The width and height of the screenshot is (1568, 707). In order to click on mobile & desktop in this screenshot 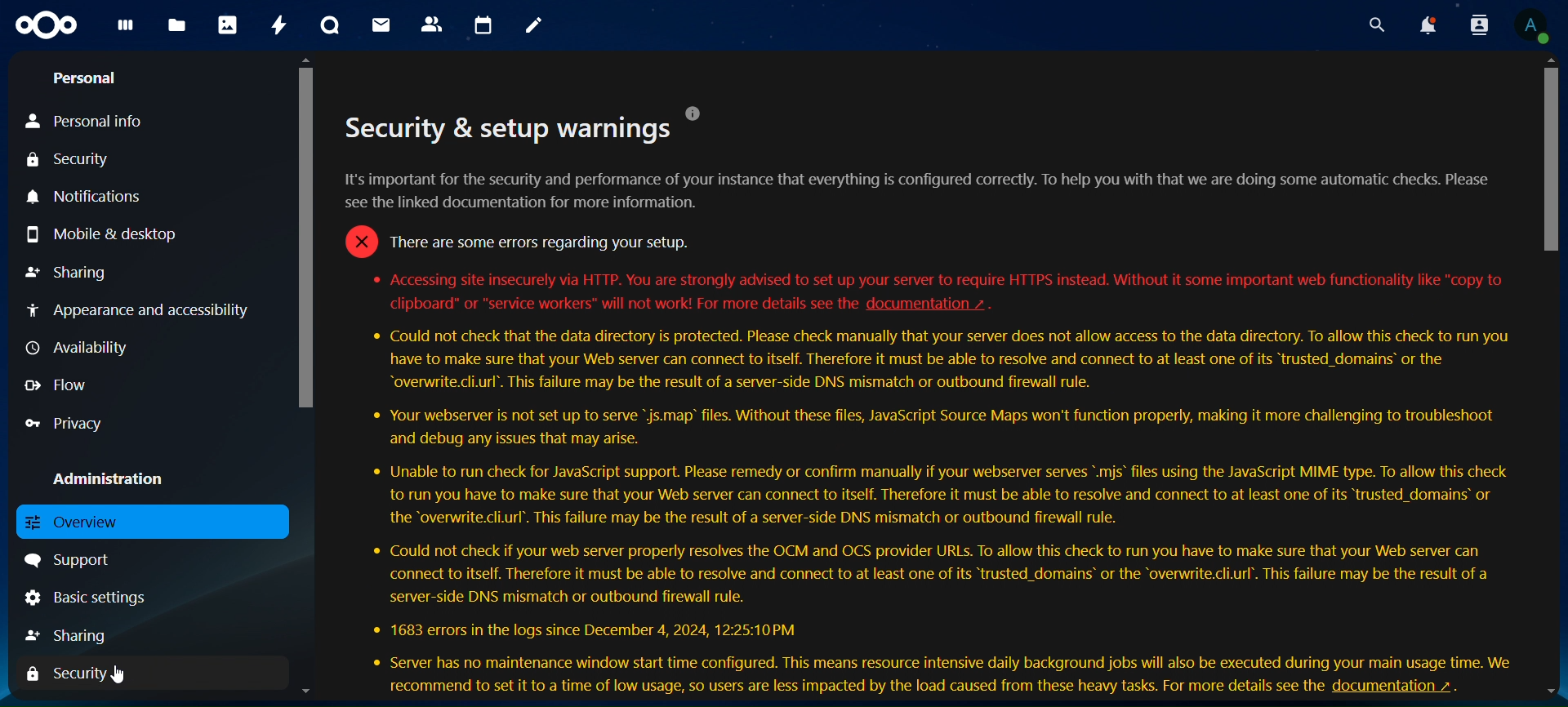, I will do `click(109, 233)`.